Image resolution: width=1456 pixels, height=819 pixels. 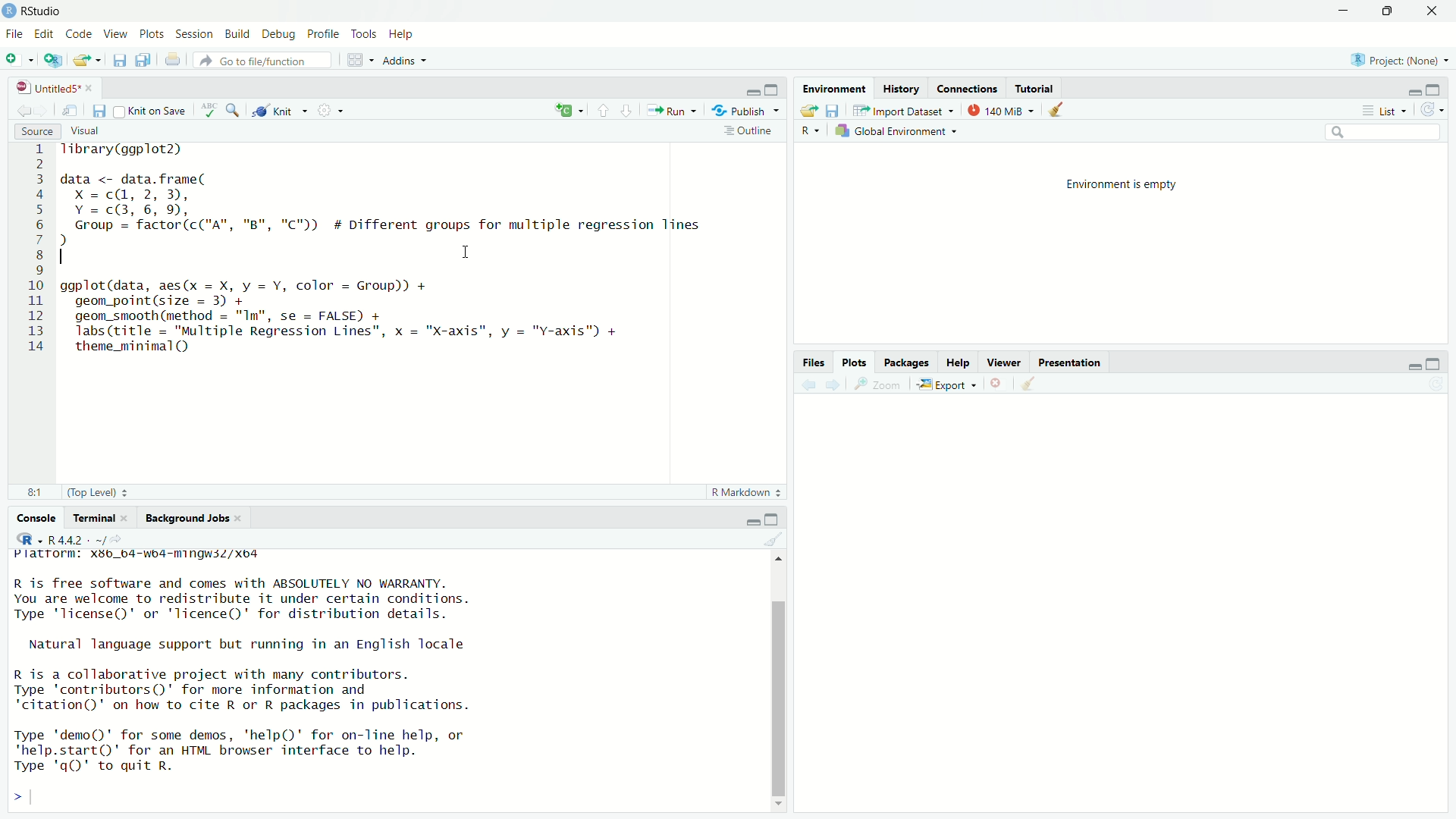 I want to click on Outline, so click(x=749, y=132).